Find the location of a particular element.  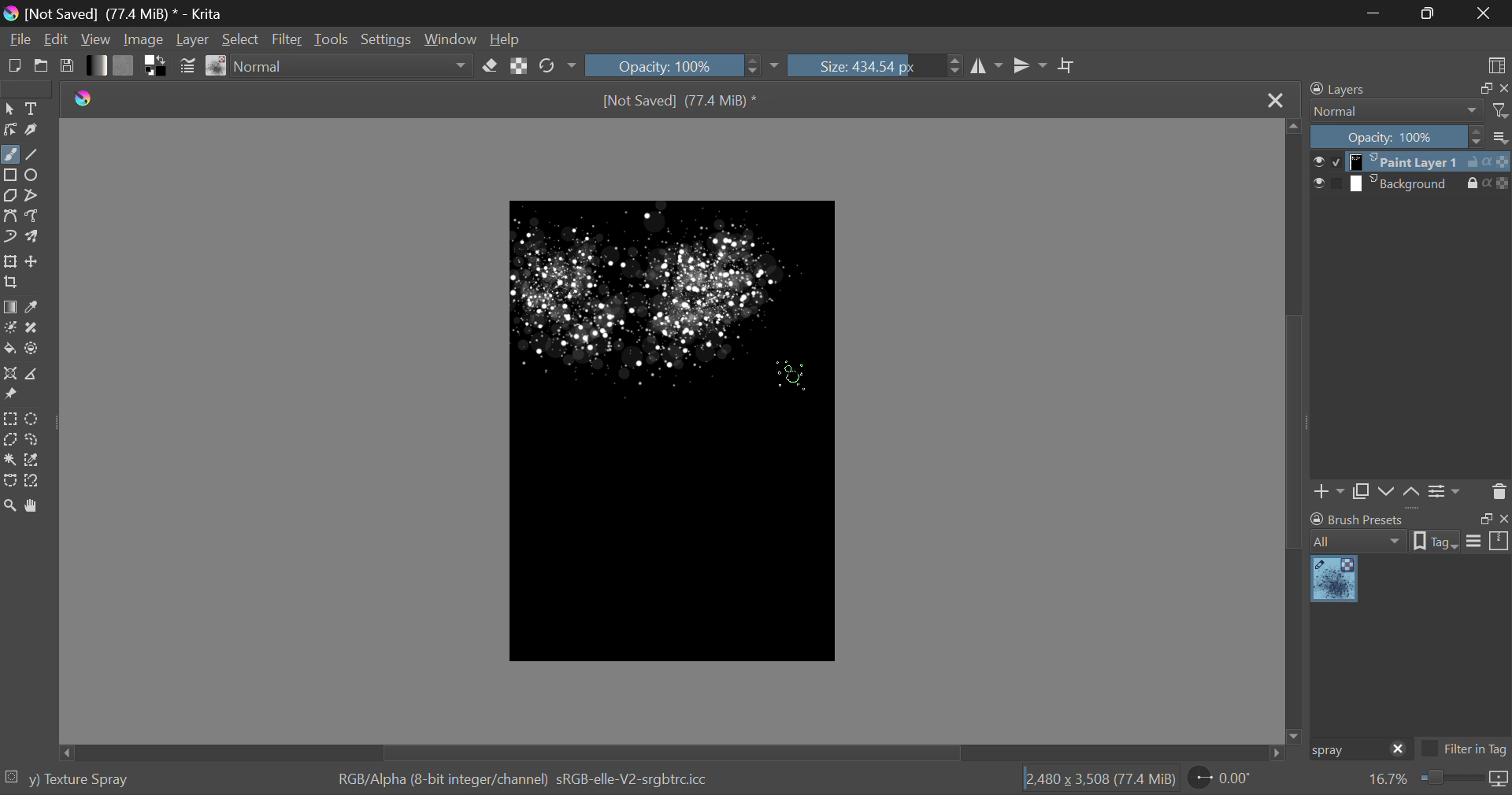

Continuous Fill is located at coordinates (9, 458).